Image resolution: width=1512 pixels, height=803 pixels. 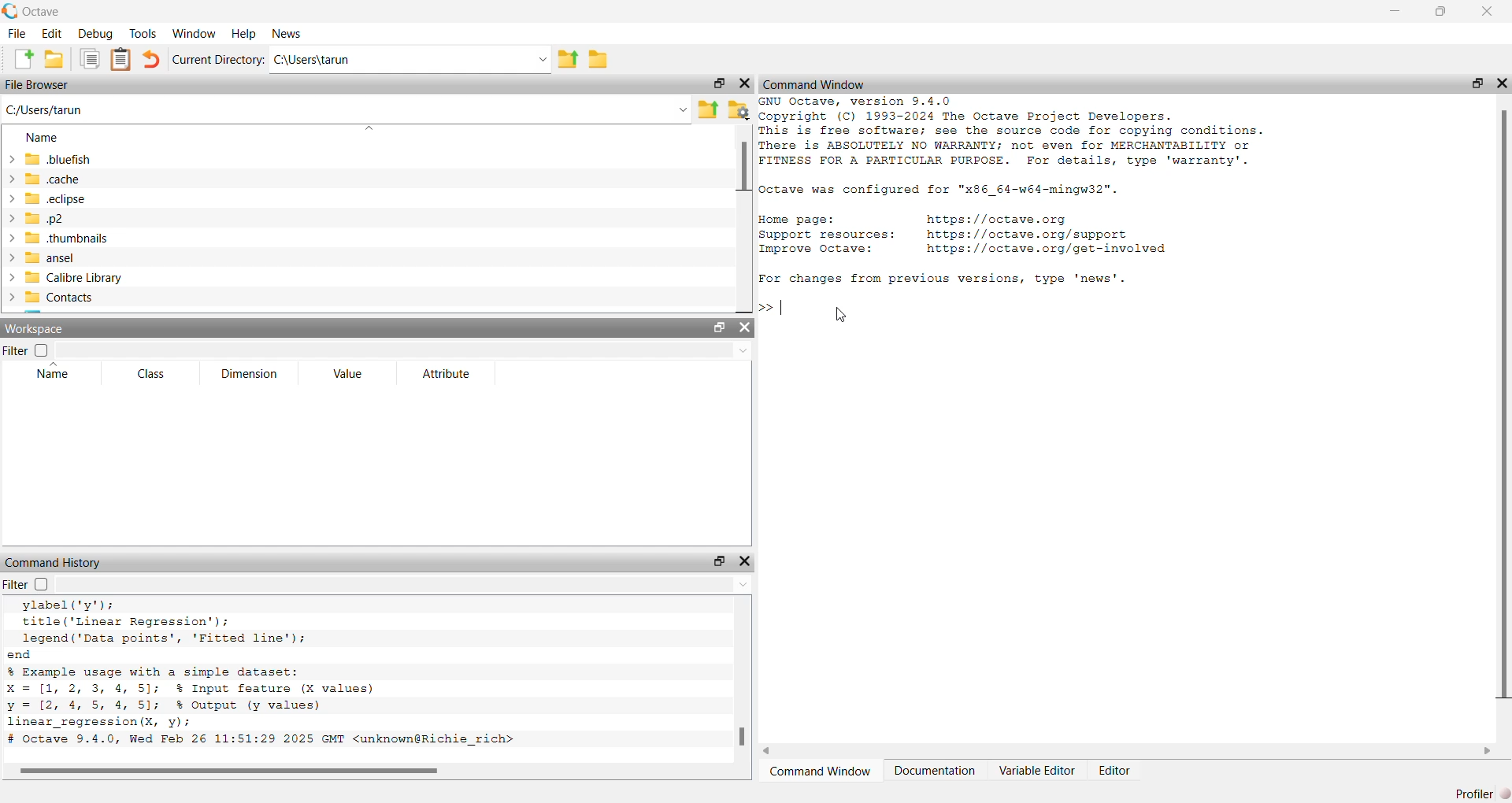 What do you see at coordinates (170, 622) in the screenshot?
I see `code to add title` at bounding box center [170, 622].